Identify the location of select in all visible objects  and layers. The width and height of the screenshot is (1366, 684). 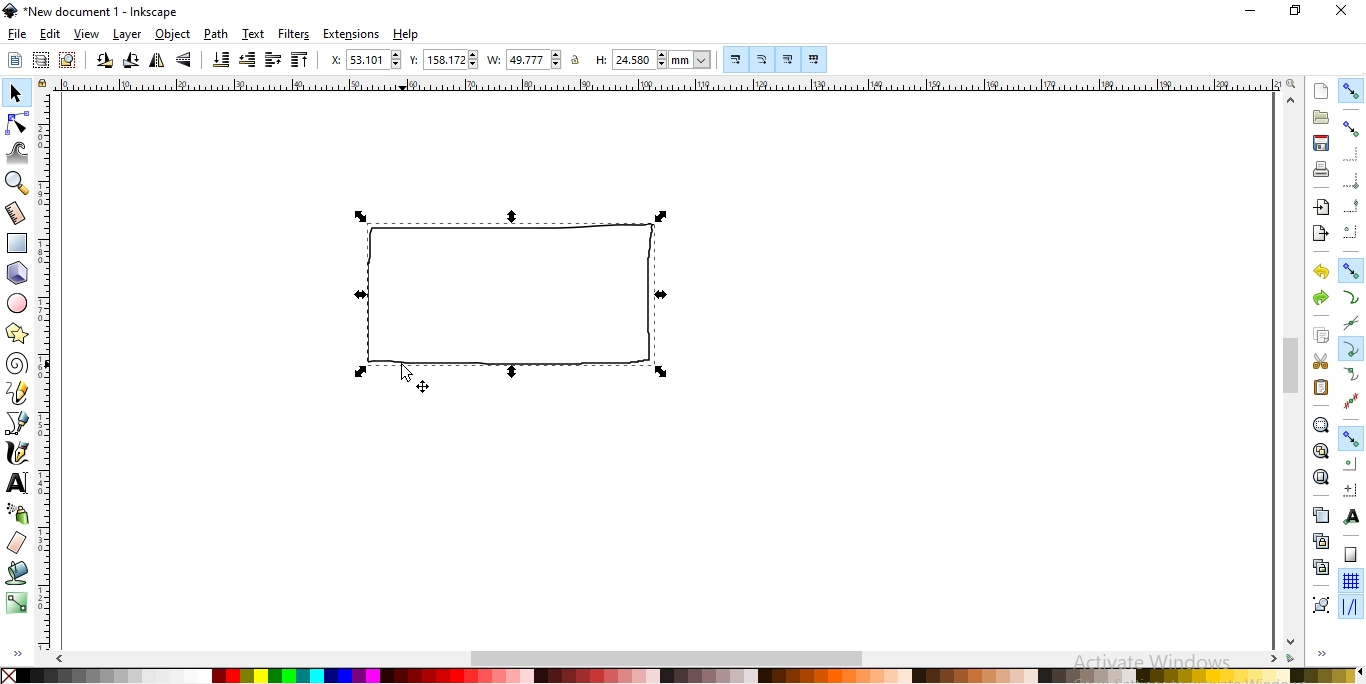
(41, 62).